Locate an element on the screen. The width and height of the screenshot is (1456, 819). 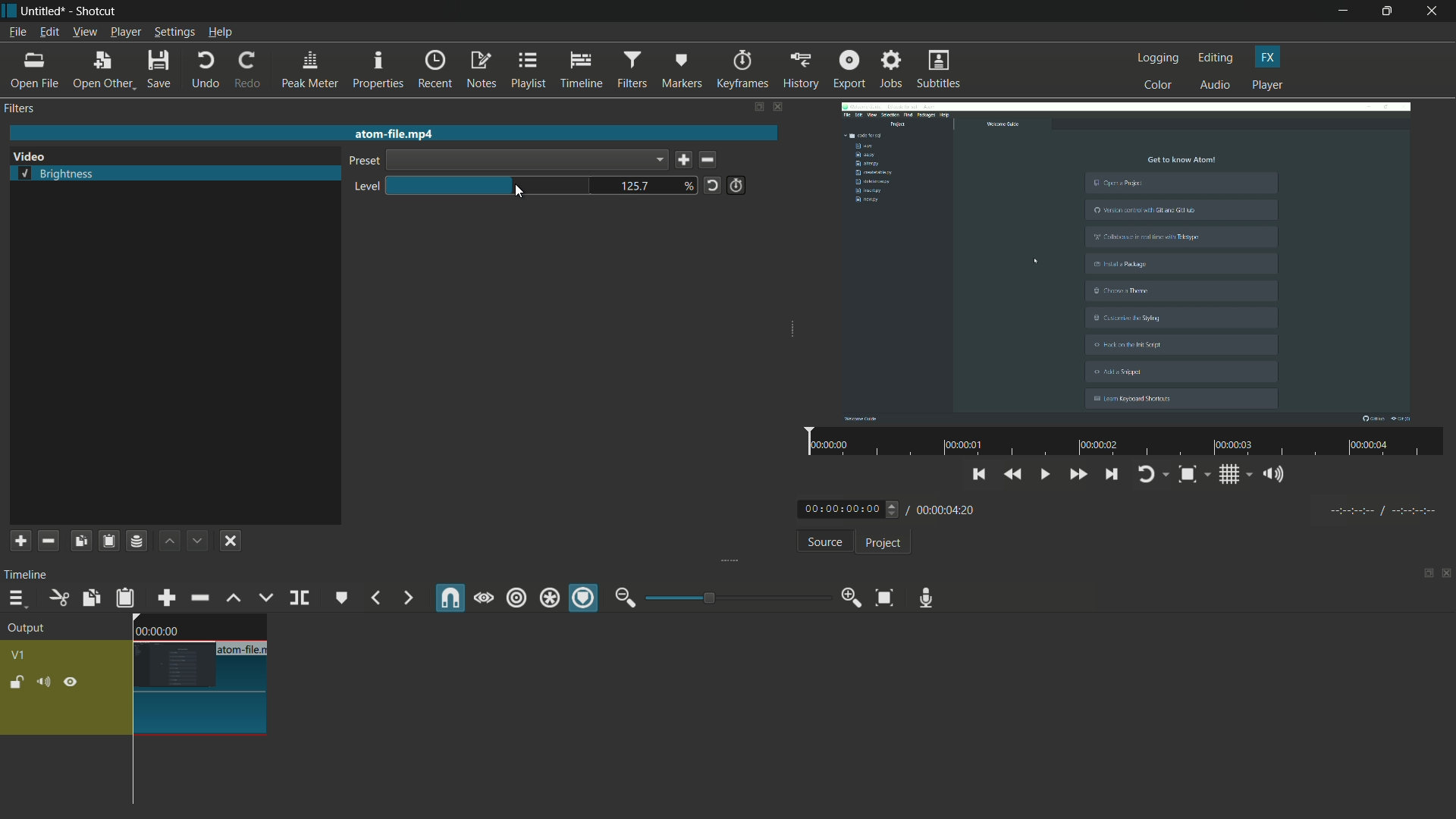
timeline is located at coordinates (582, 71).